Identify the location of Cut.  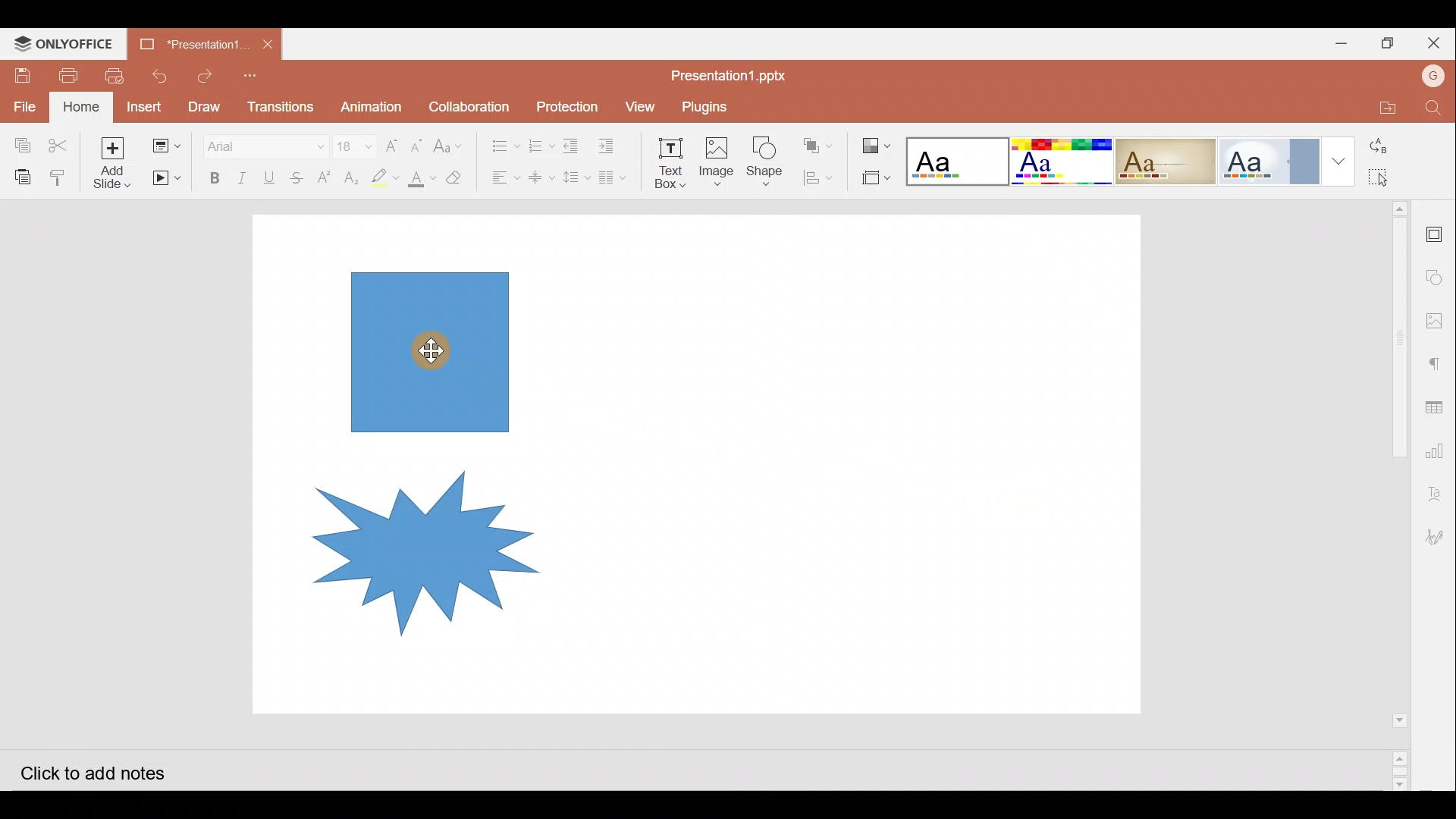
(58, 140).